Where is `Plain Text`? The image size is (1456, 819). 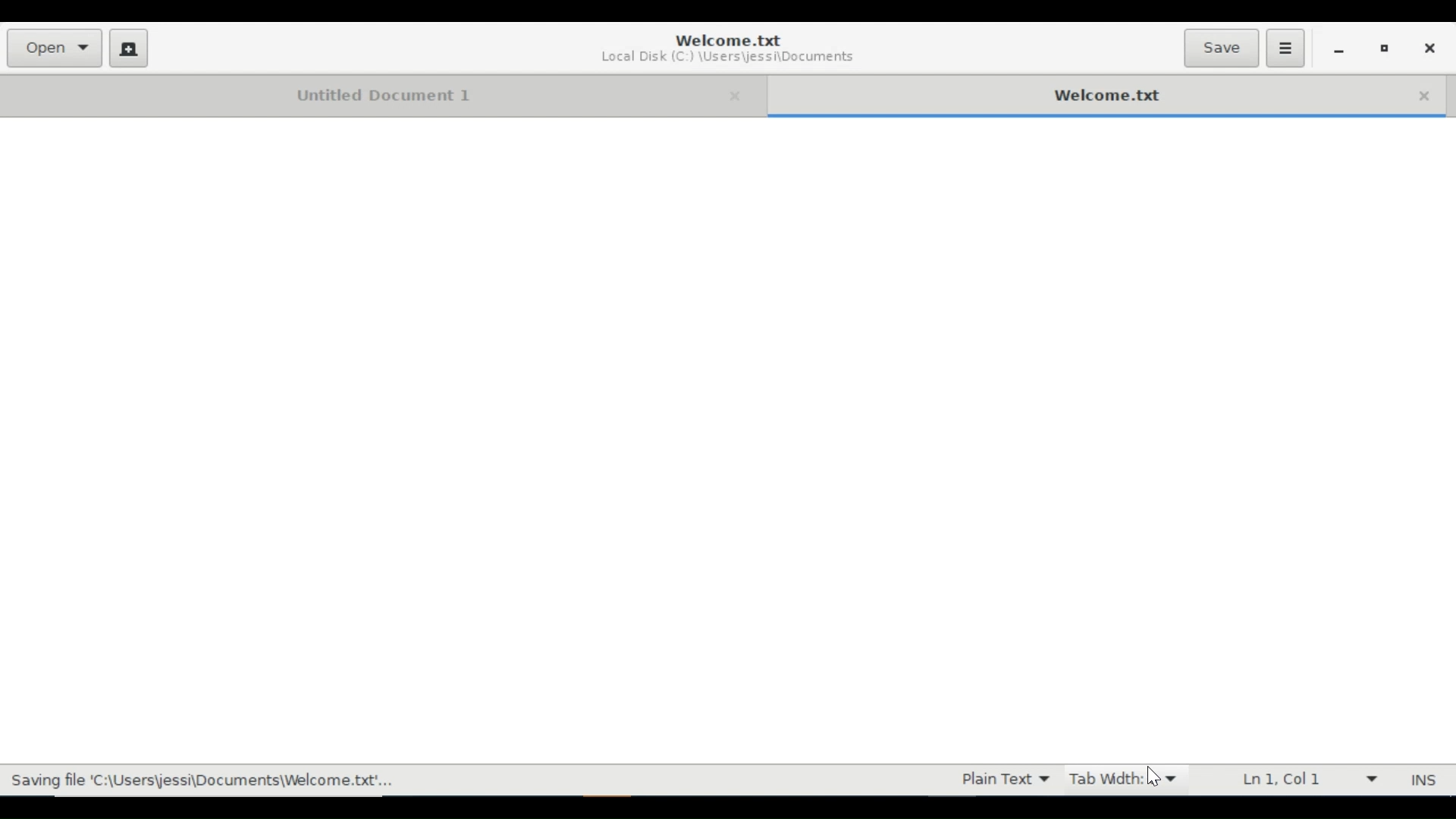 Plain Text is located at coordinates (1004, 779).